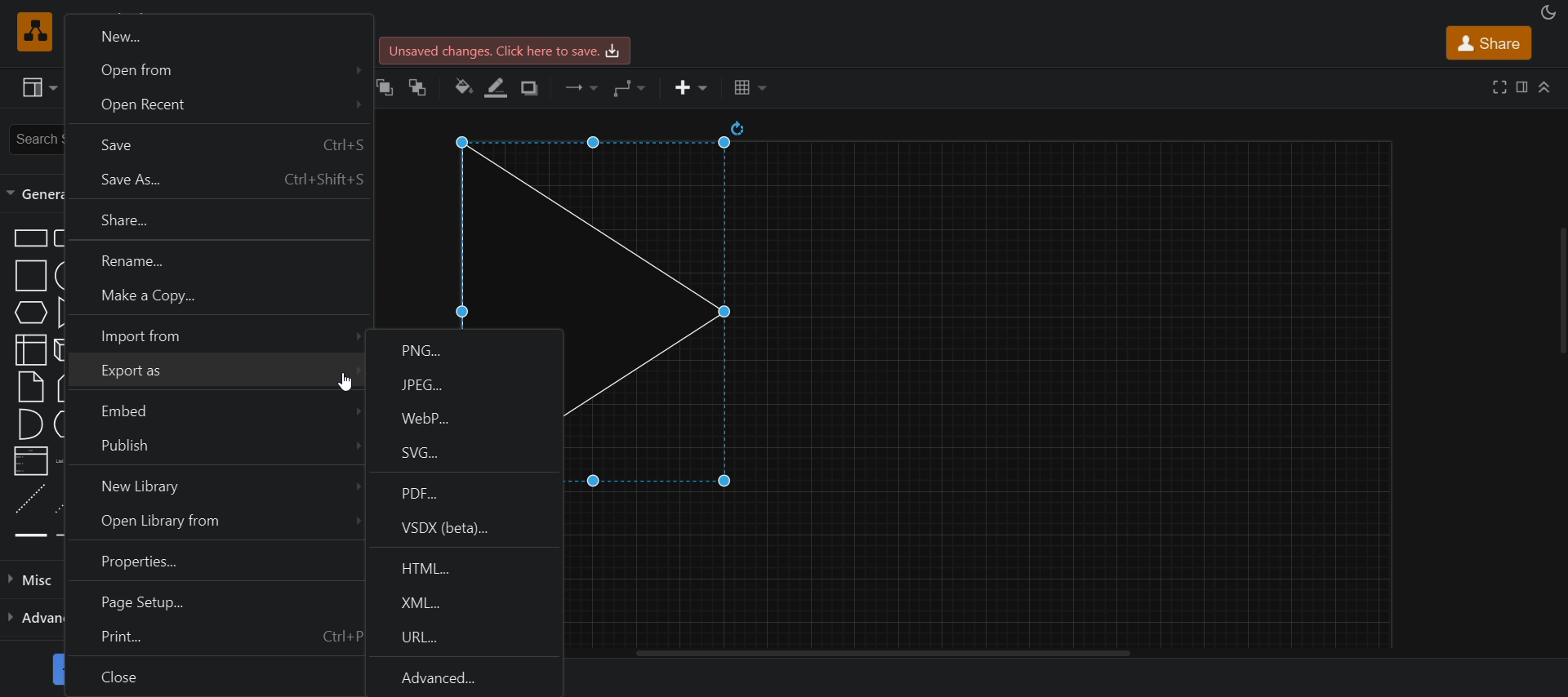 The image size is (1568, 697). What do you see at coordinates (216, 222) in the screenshot?
I see `share` at bounding box center [216, 222].